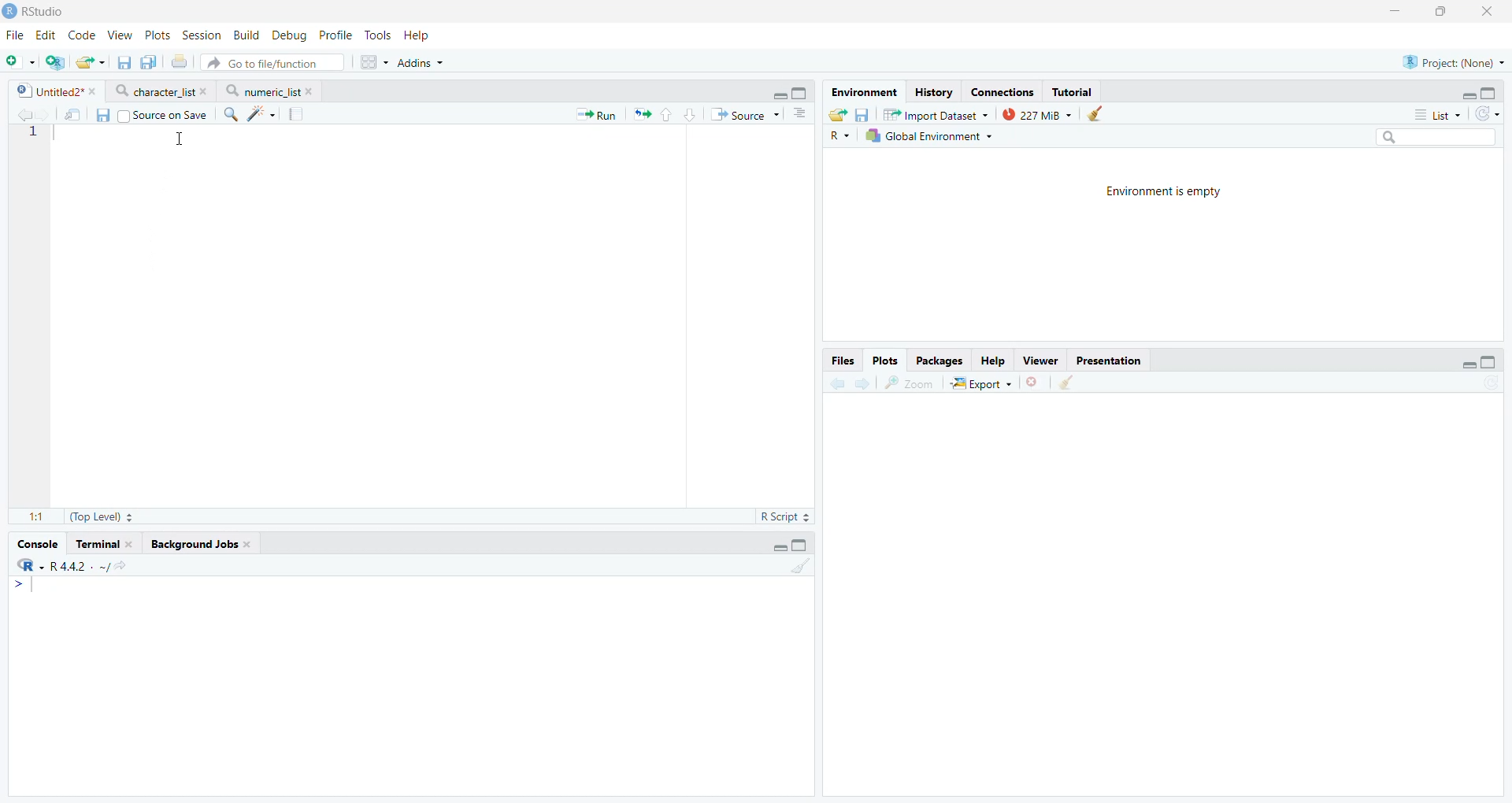 Image resolution: width=1512 pixels, height=803 pixels. What do you see at coordinates (913, 383) in the screenshot?
I see `Zoom` at bounding box center [913, 383].